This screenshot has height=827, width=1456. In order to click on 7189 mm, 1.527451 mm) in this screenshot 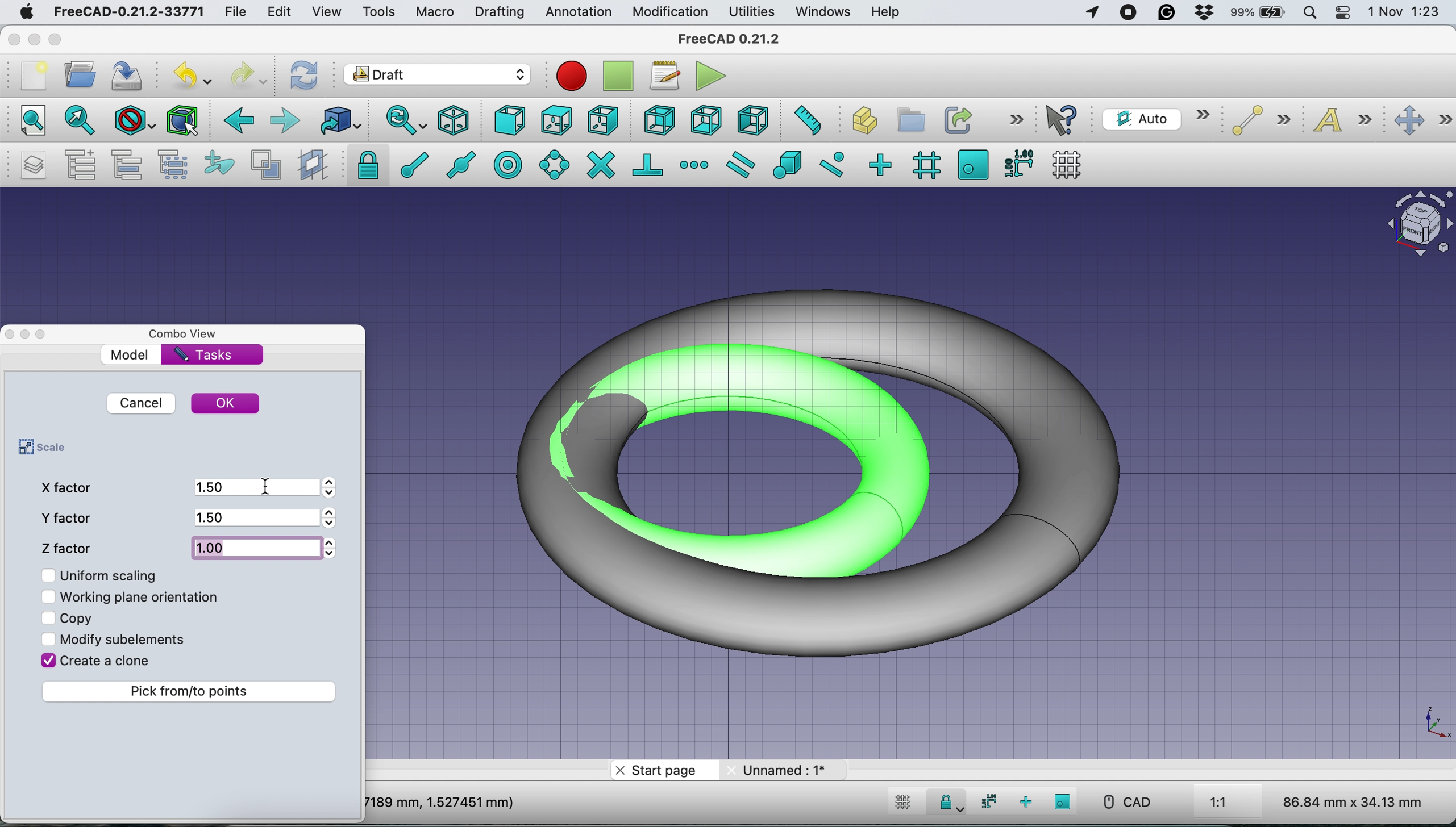, I will do `click(441, 801)`.